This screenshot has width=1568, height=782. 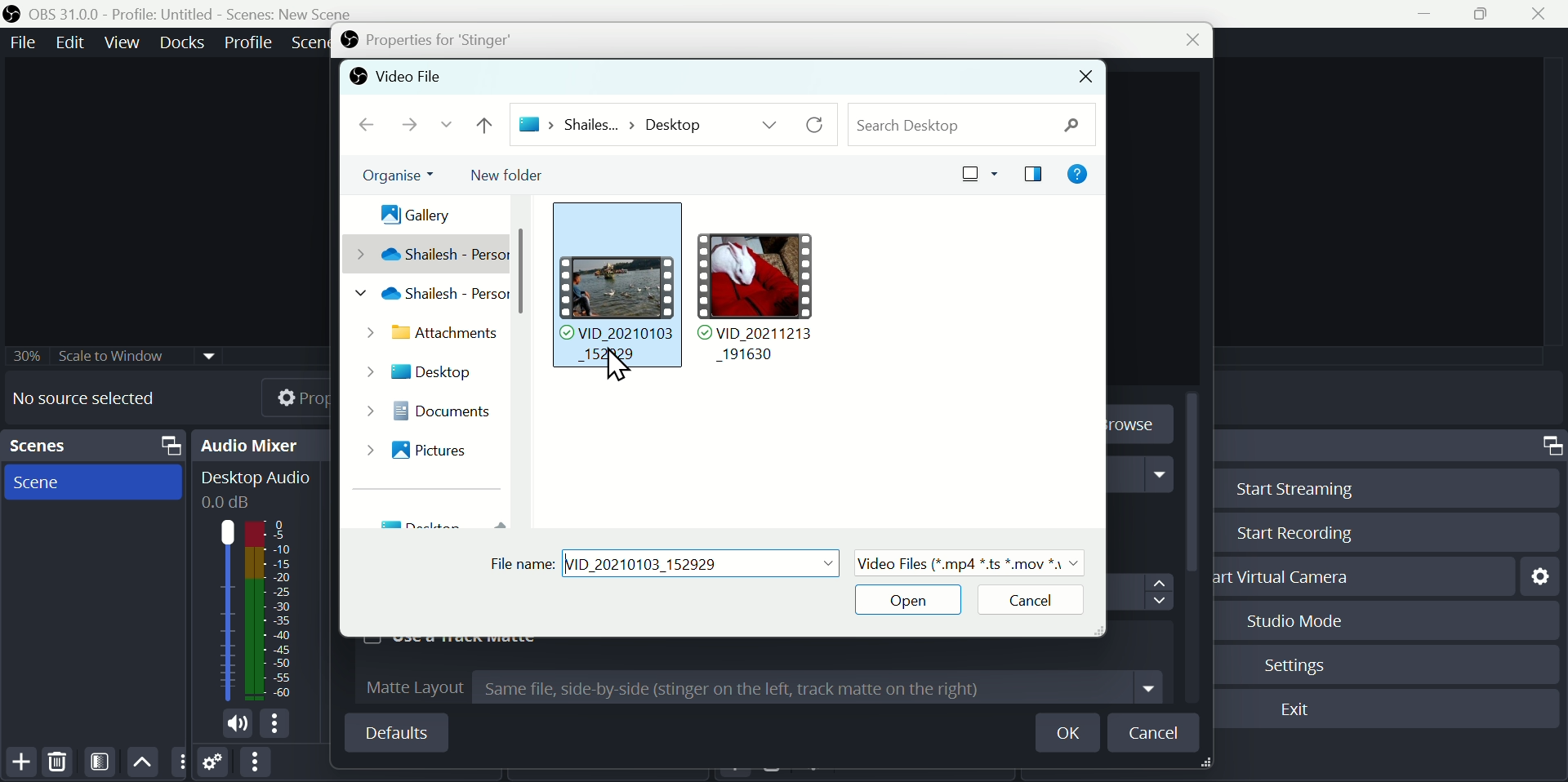 What do you see at coordinates (20, 42) in the screenshot?
I see `` at bounding box center [20, 42].